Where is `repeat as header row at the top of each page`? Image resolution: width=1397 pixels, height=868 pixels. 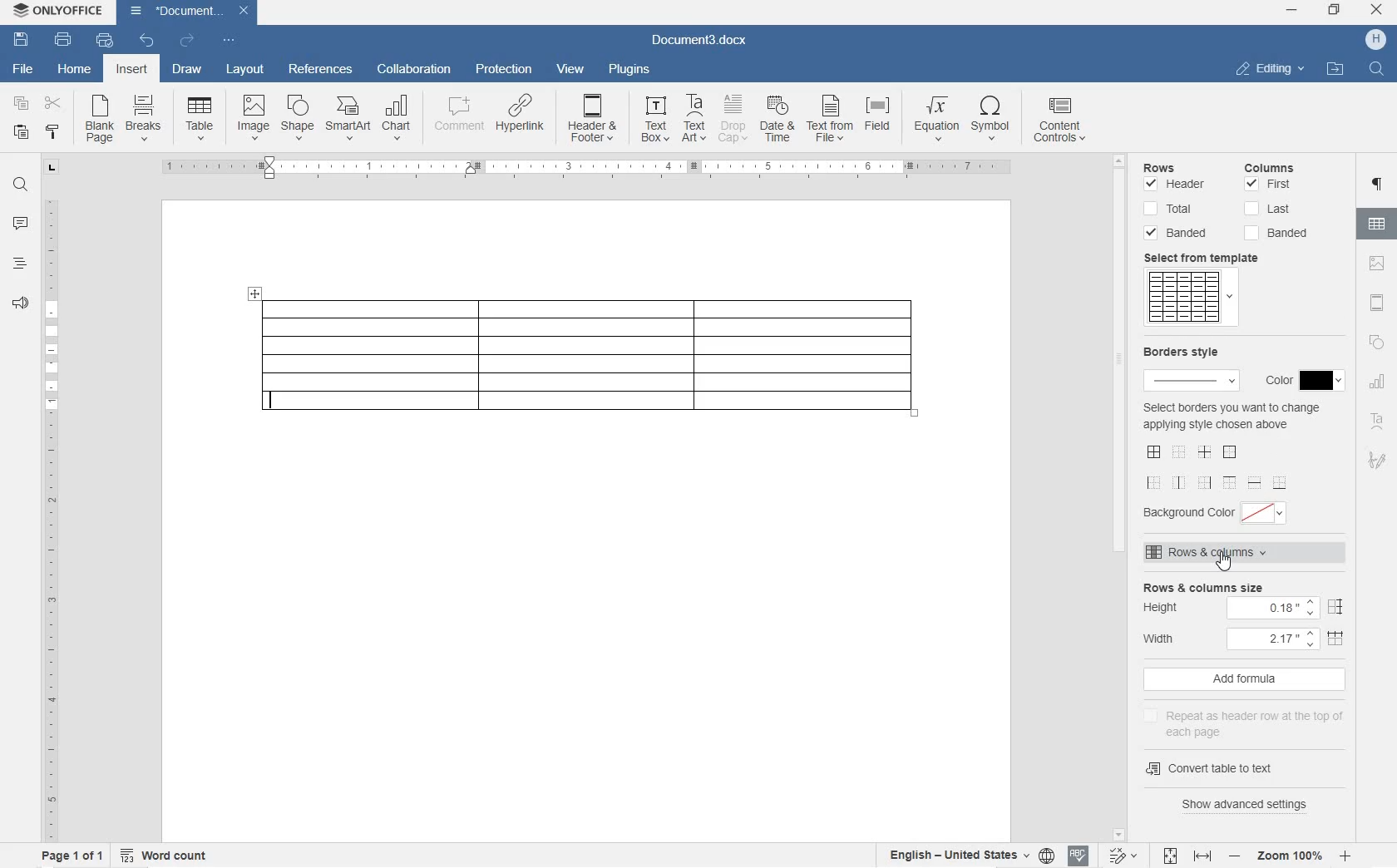
repeat as header row at the top of each page is located at coordinates (1250, 721).